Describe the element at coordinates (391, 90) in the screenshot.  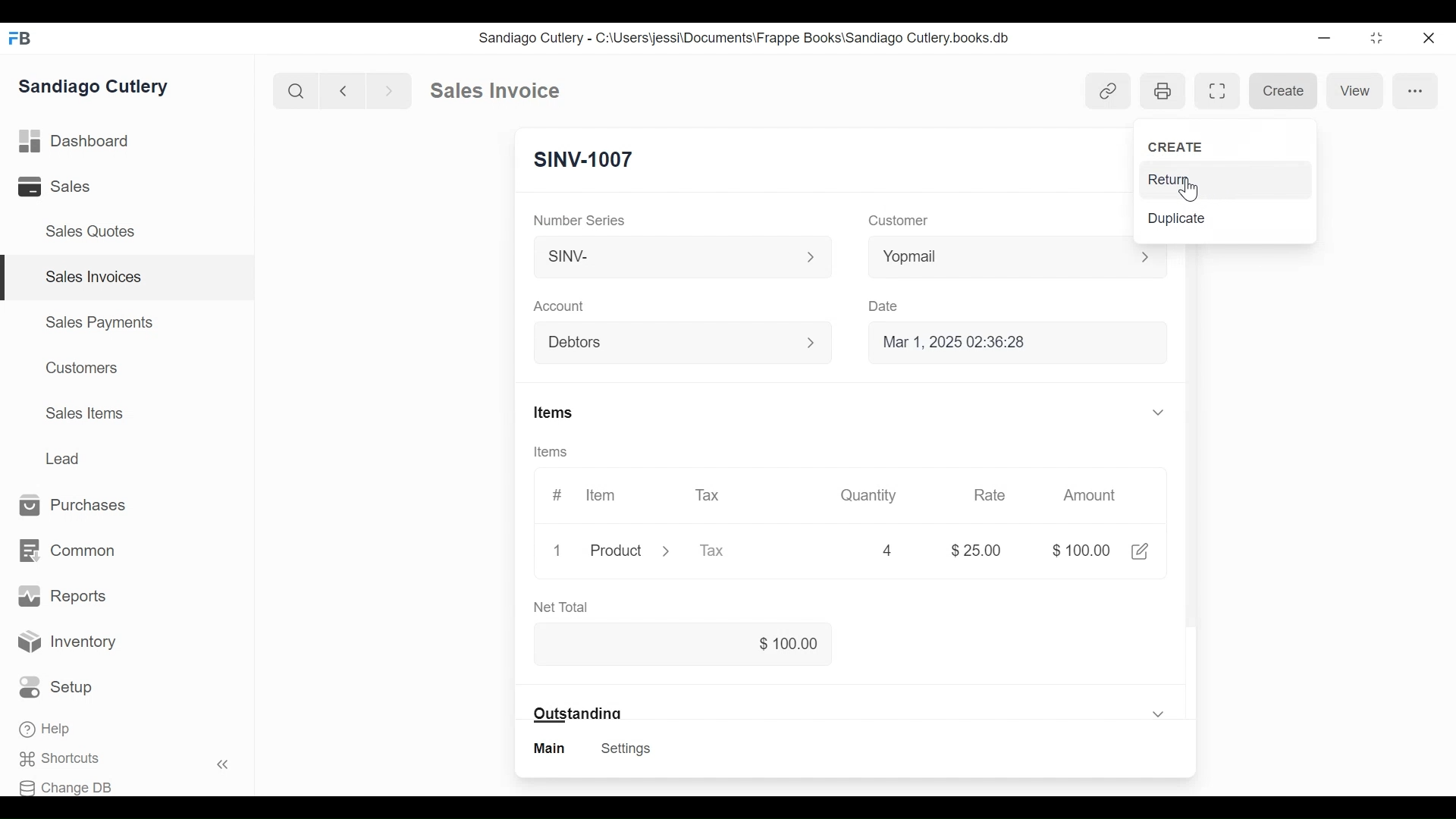
I see `Next` at that location.